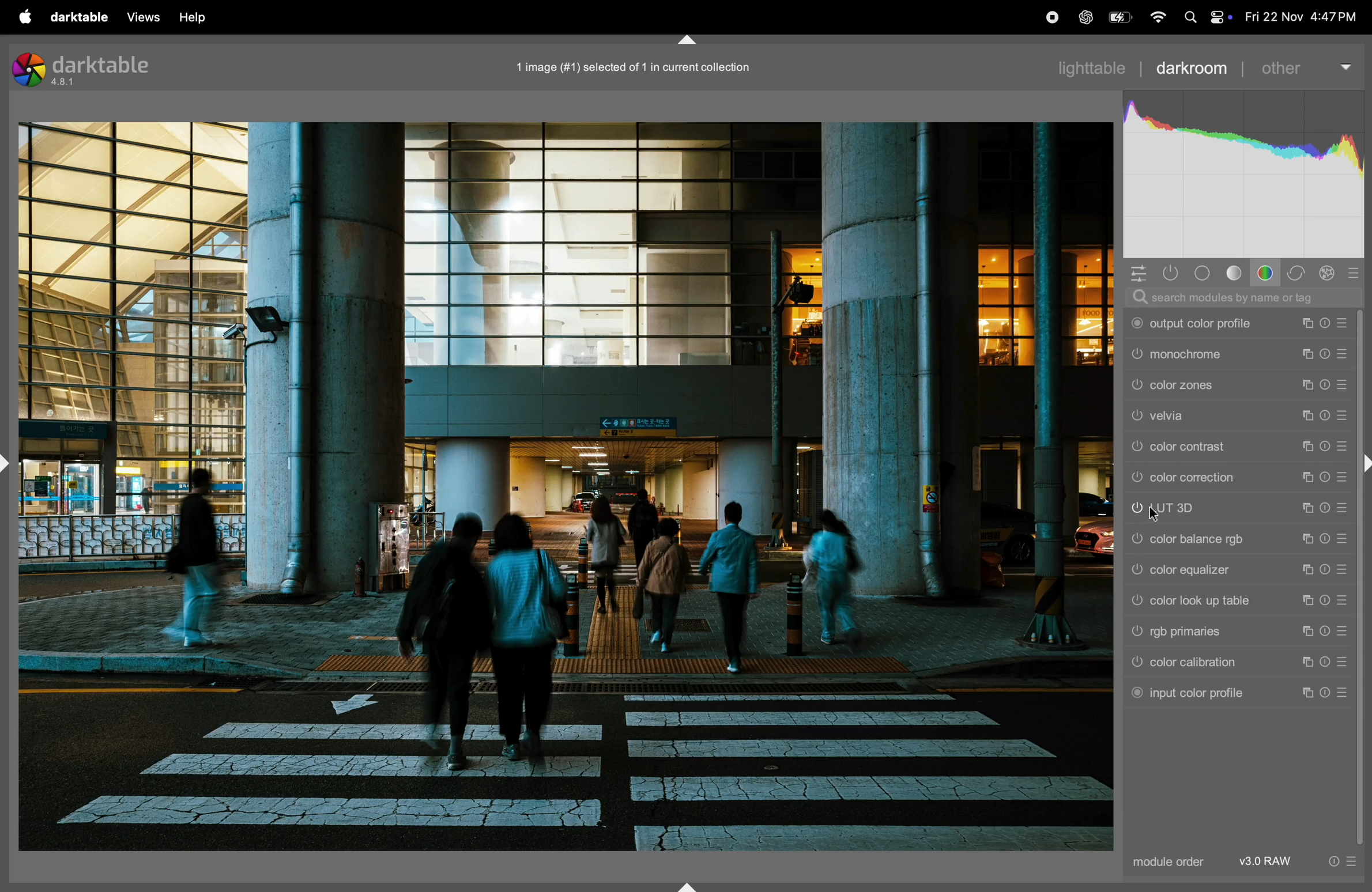 The width and height of the screenshot is (1372, 892). Describe the element at coordinates (1136, 357) in the screenshot. I see `monochrome is switched off` at that location.